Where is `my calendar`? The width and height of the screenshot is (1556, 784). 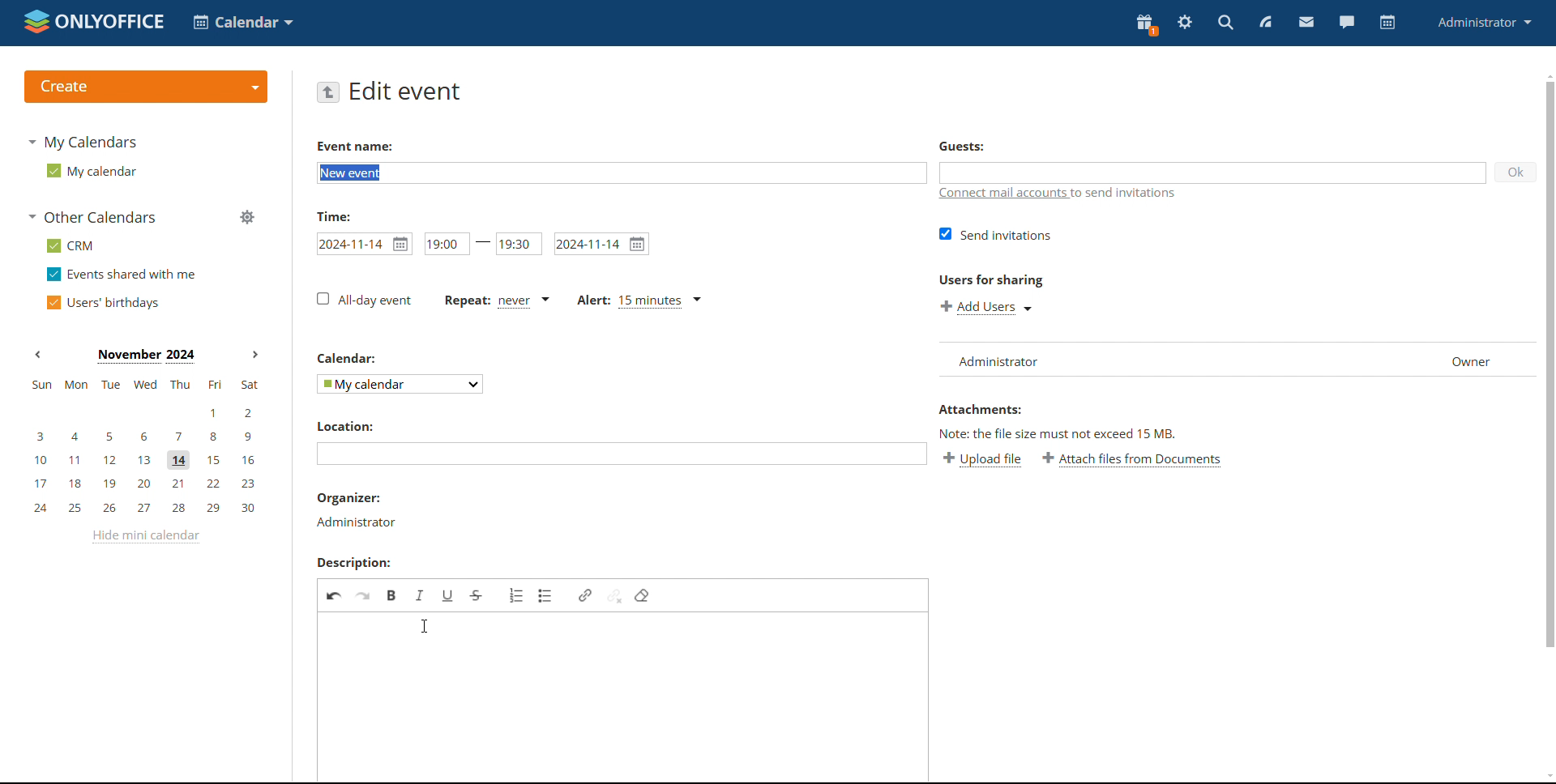
my calendar is located at coordinates (92, 170).